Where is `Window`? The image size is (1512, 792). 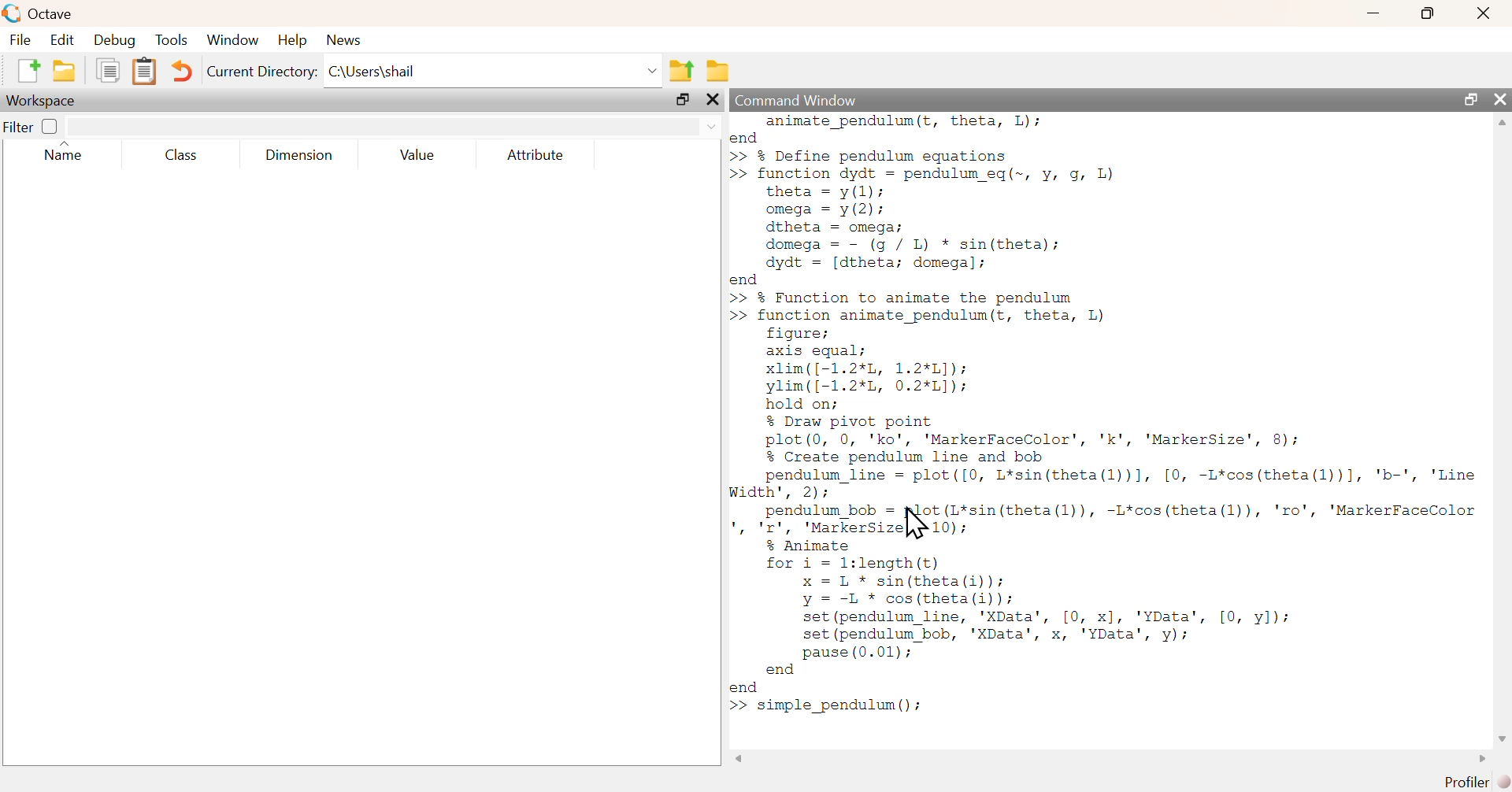
Window is located at coordinates (235, 41).